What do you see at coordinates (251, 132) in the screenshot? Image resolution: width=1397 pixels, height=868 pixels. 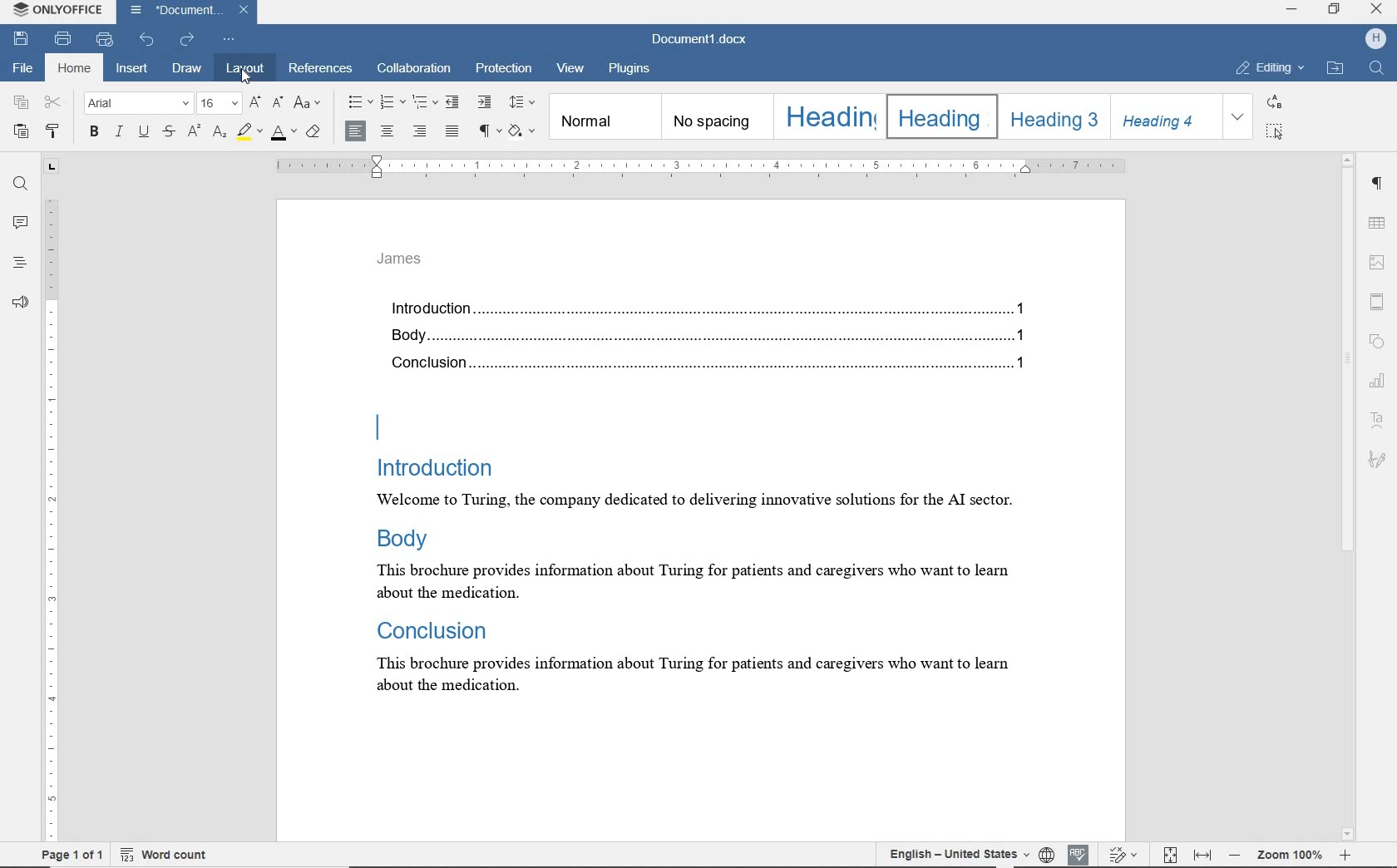 I see `highlight color` at bounding box center [251, 132].